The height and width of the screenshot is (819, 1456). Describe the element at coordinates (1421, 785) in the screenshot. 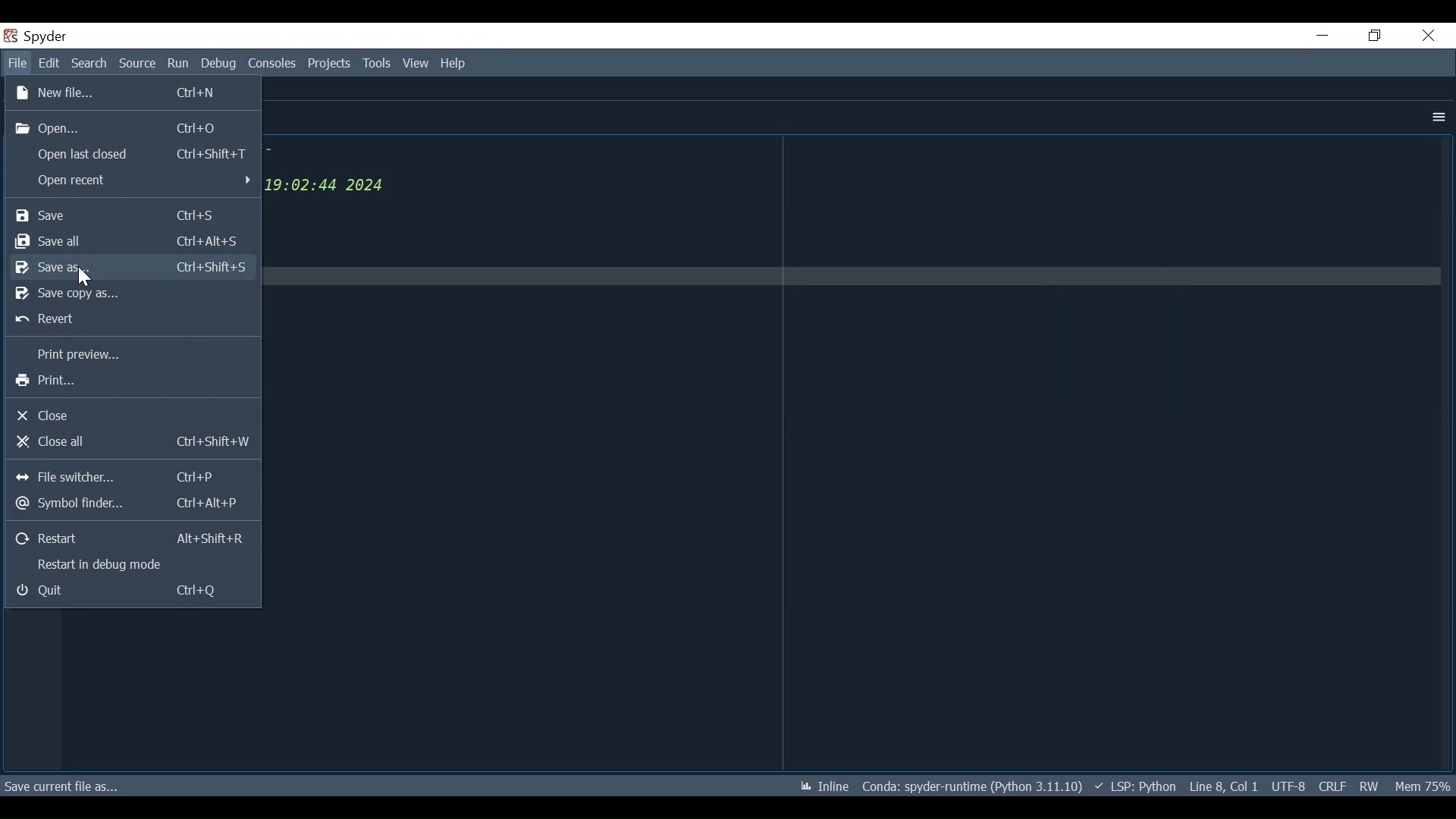

I see `Memory Usage` at that location.